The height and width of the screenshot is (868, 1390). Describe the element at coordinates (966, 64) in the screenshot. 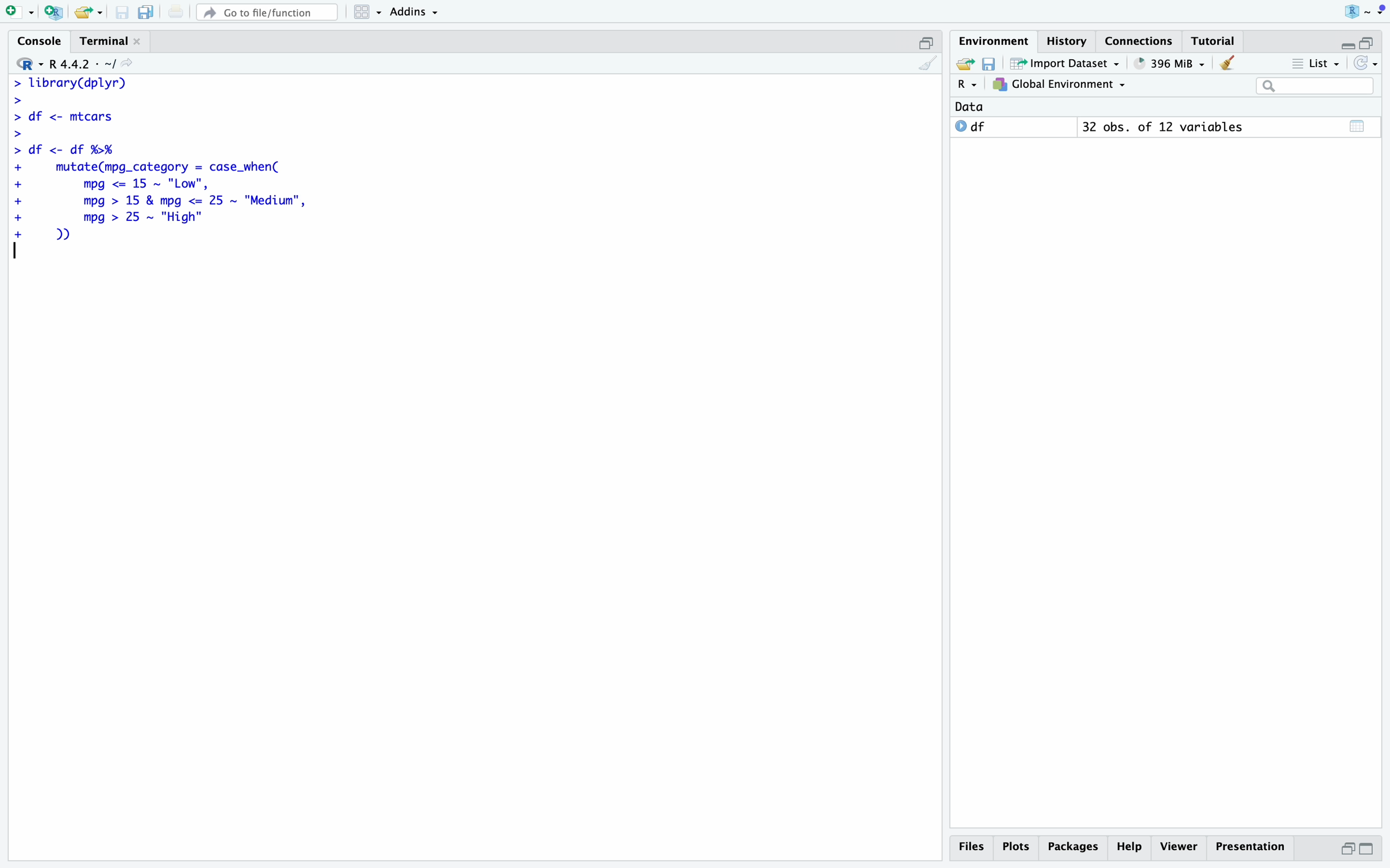

I see `share folder` at that location.